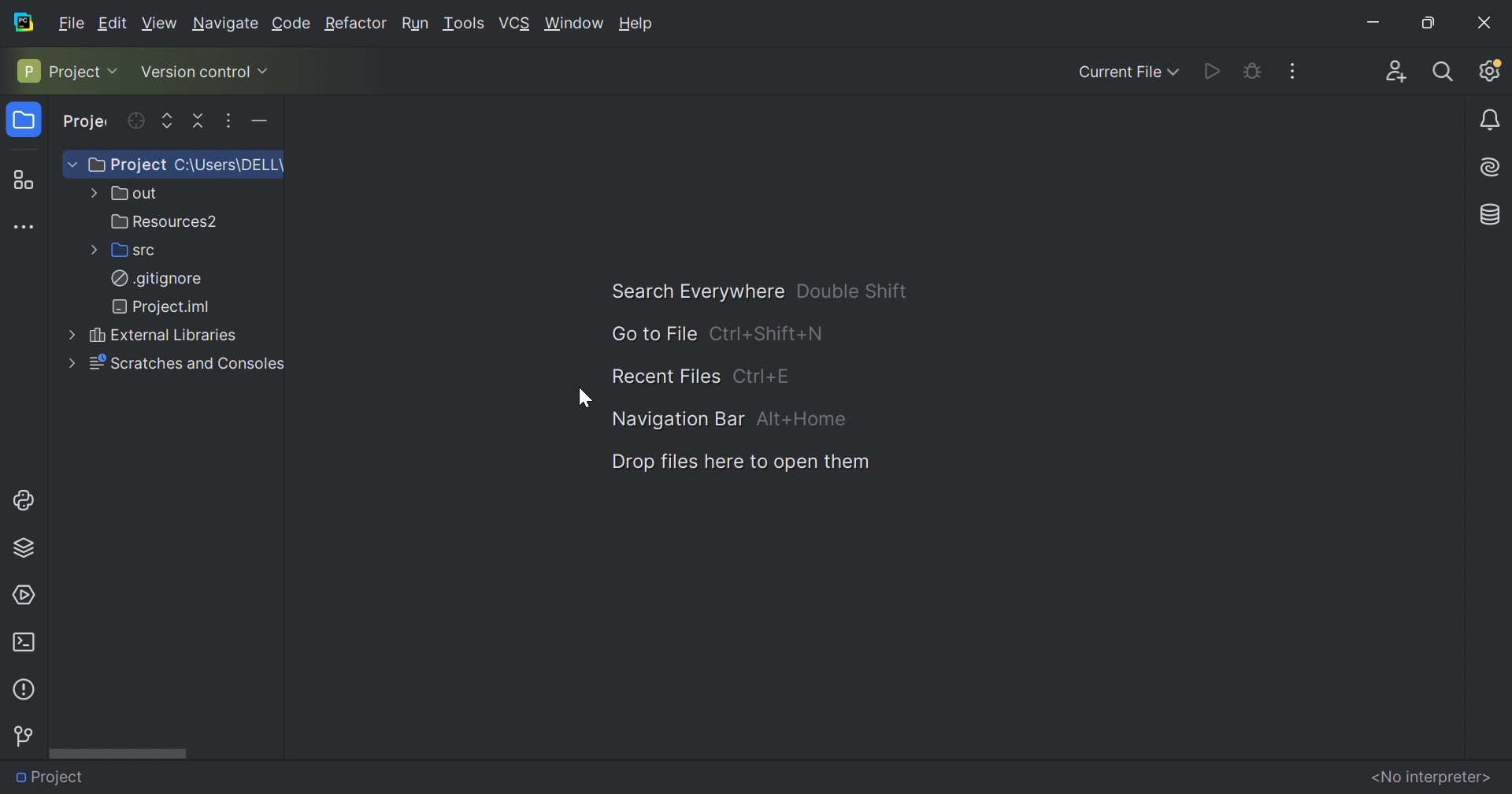 Image resolution: width=1512 pixels, height=794 pixels. Describe the element at coordinates (183, 362) in the screenshot. I see `Scratches and Consoles` at that location.